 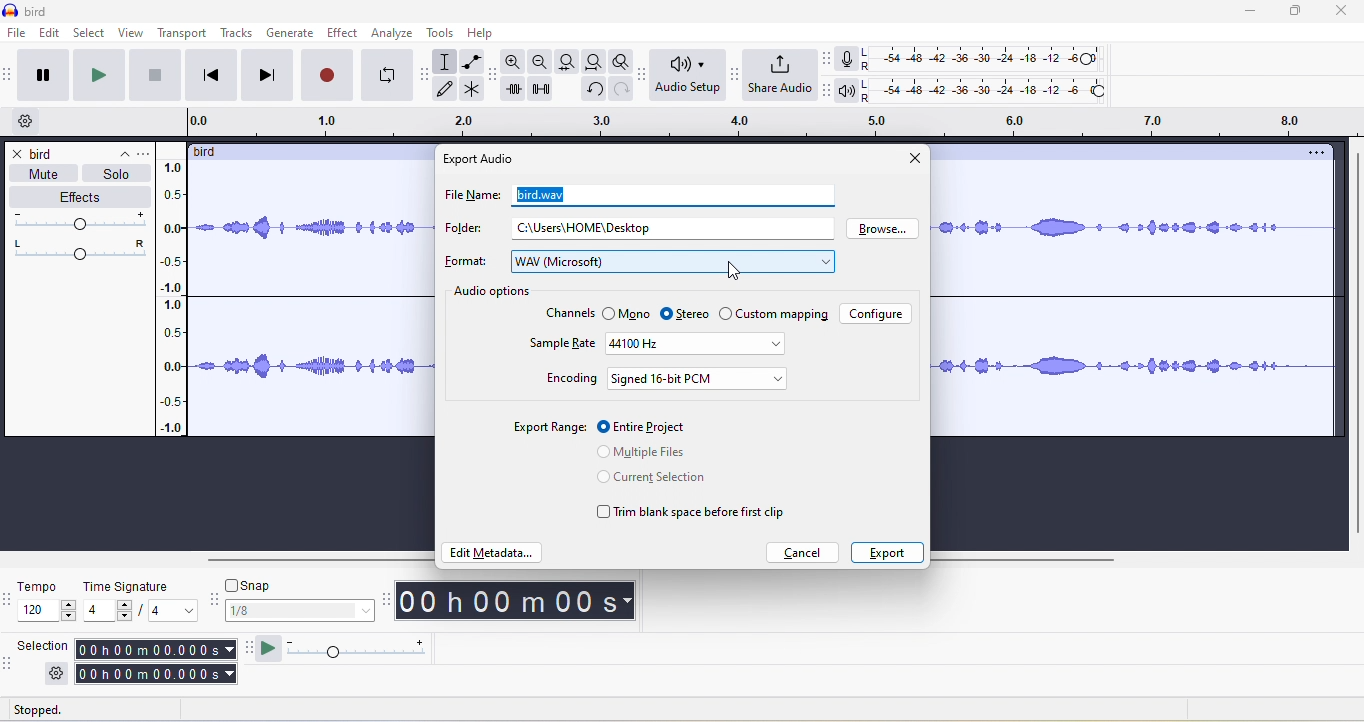 What do you see at coordinates (571, 380) in the screenshot?
I see `encoding` at bounding box center [571, 380].